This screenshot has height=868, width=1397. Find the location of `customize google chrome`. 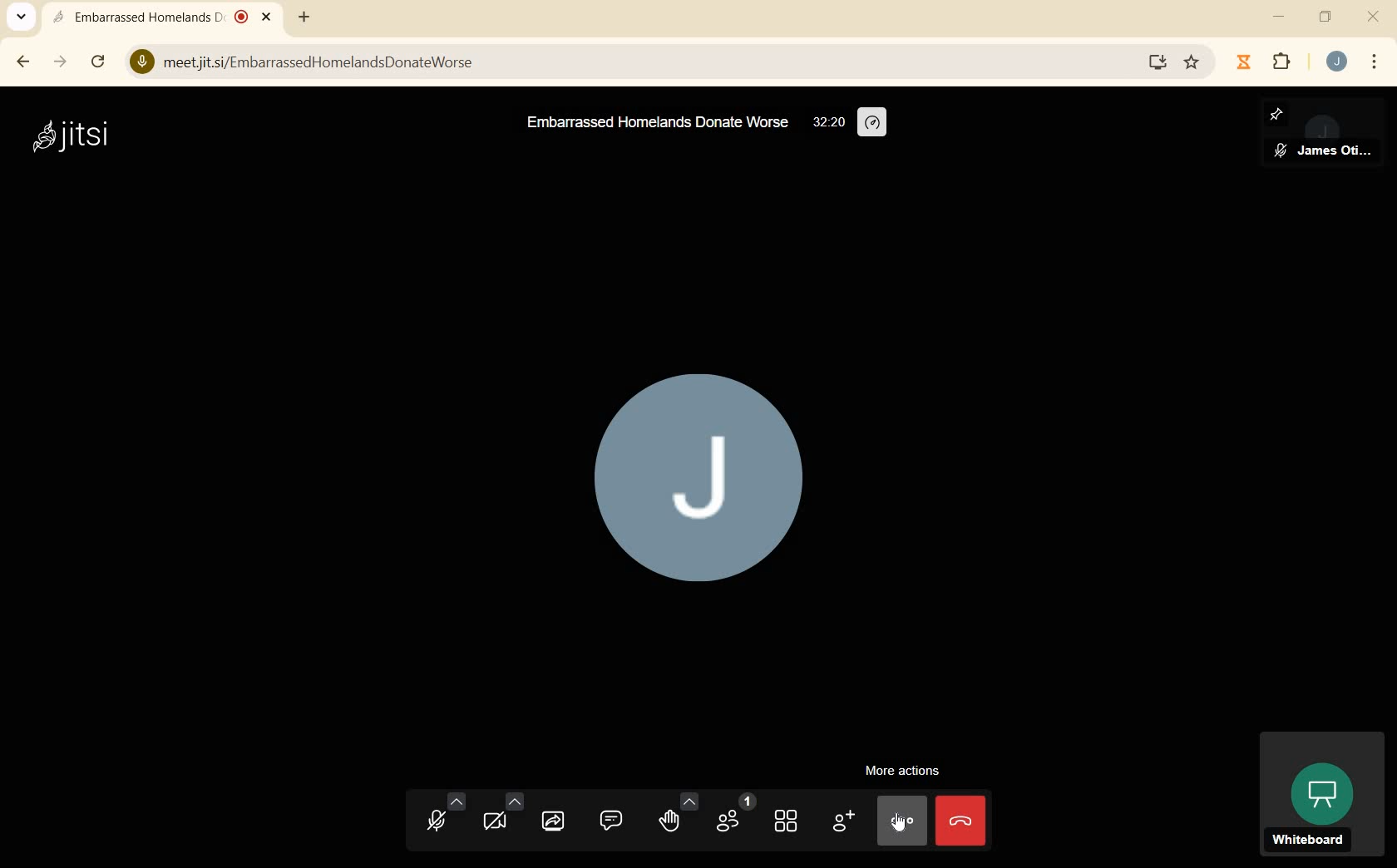

customize google chrome is located at coordinates (1375, 62).